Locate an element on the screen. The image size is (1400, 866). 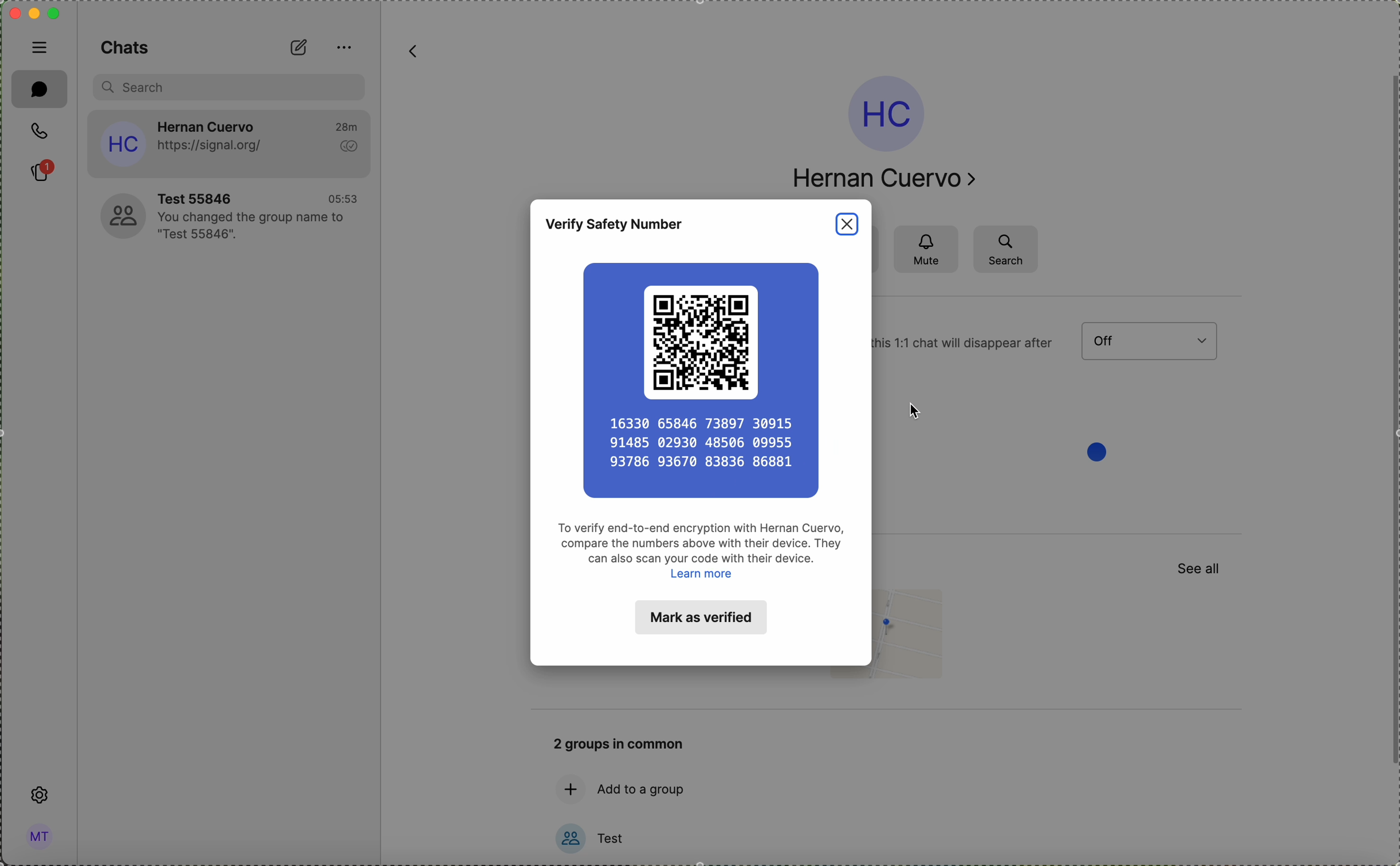
add to a group is located at coordinates (640, 789).